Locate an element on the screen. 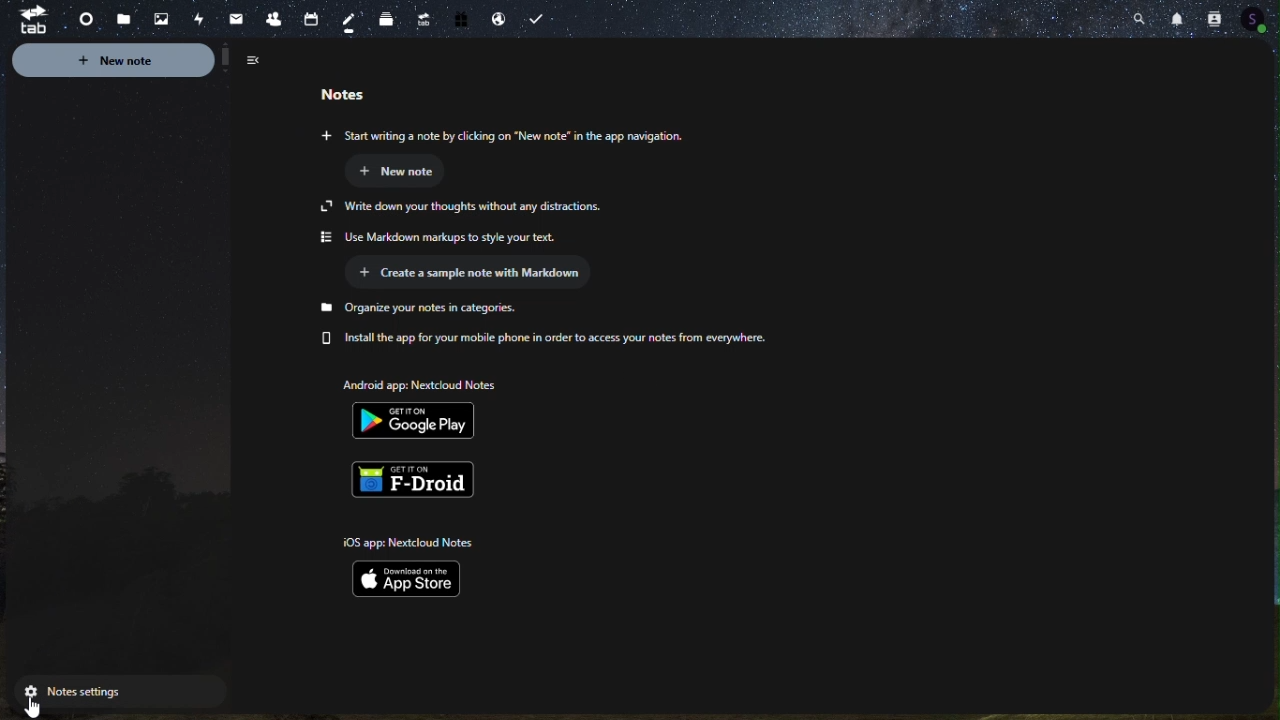 The width and height of the screenshot is (1280, 720). ‘Write down your thoughts without any distractions. is located at coordinates (464, 206).